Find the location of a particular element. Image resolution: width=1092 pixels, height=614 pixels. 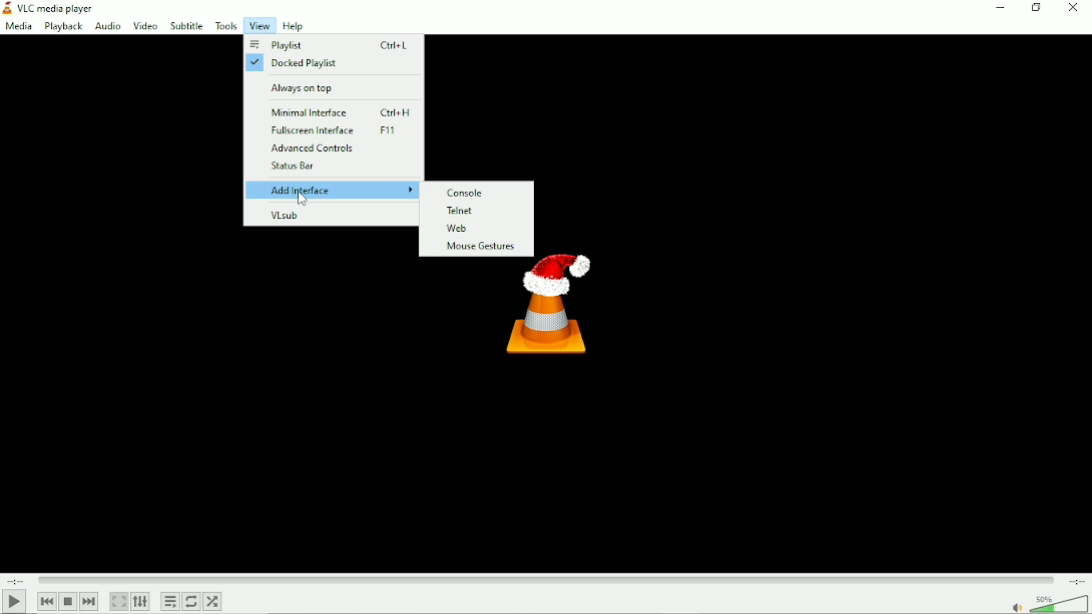

Subtitle is located at coordinates (186, 24).